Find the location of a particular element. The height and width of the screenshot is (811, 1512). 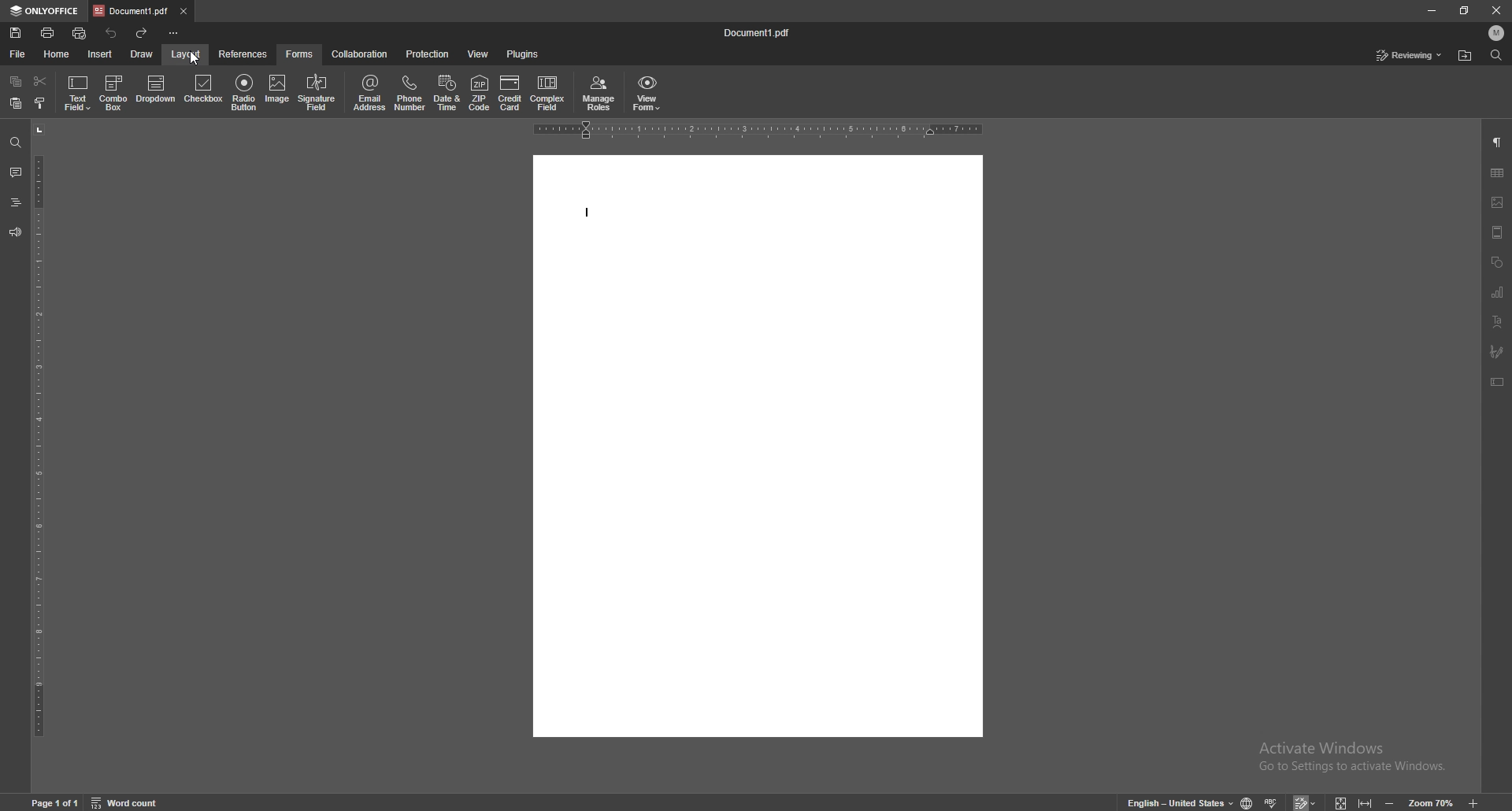

signature field is located at coordinates (317, 91).